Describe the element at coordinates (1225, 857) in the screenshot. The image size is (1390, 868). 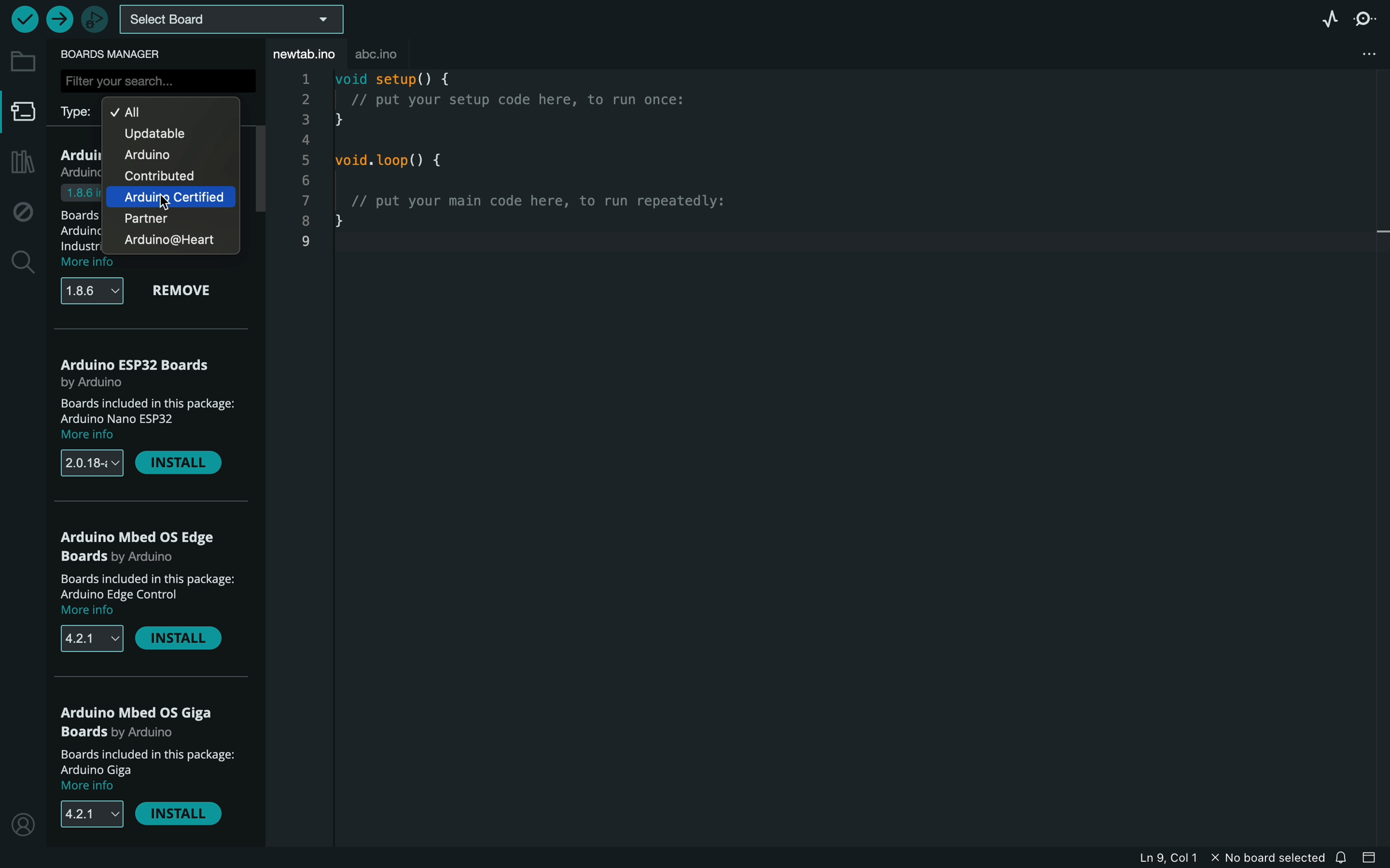
I see `file information` at that location.